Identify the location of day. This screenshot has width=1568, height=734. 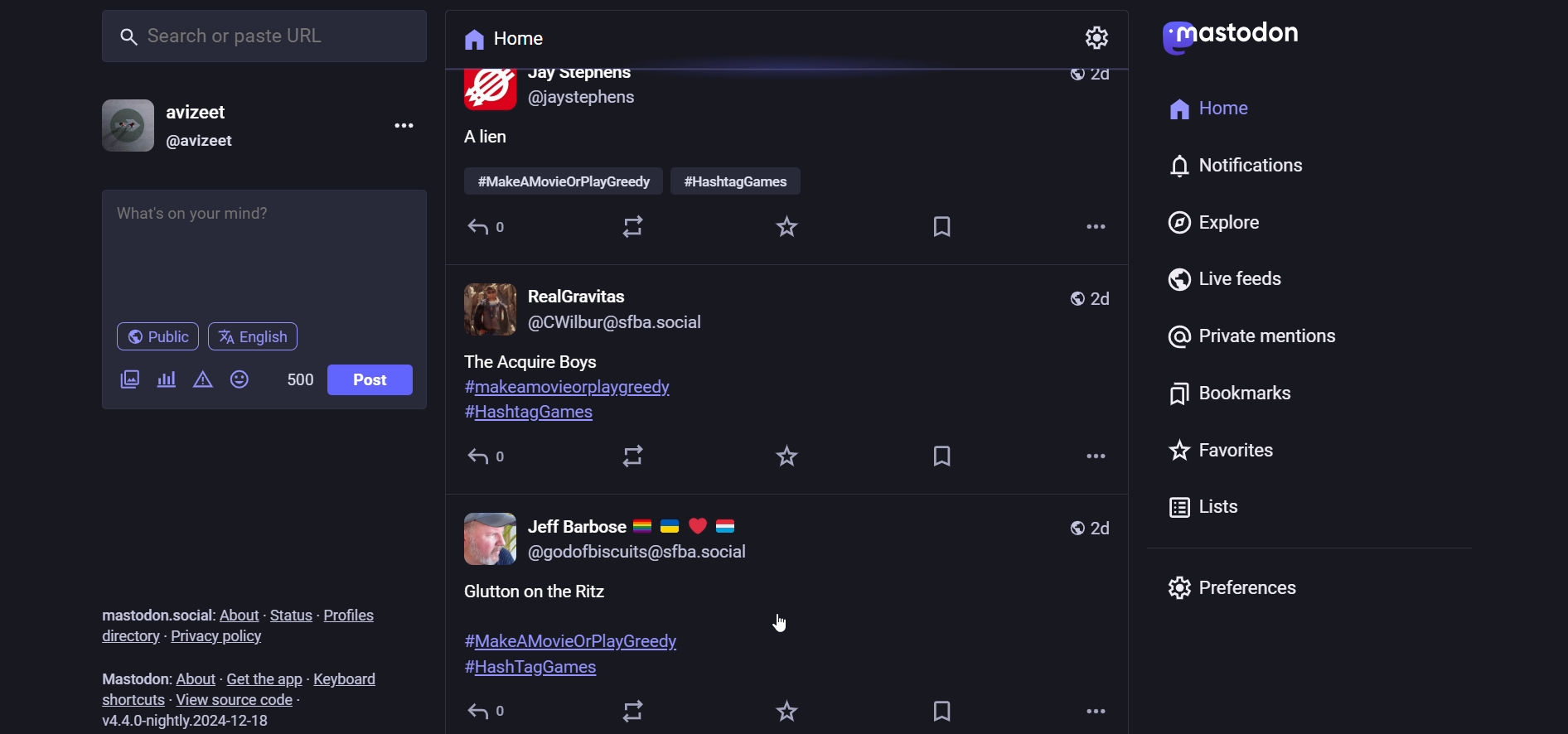
(1092, 75).